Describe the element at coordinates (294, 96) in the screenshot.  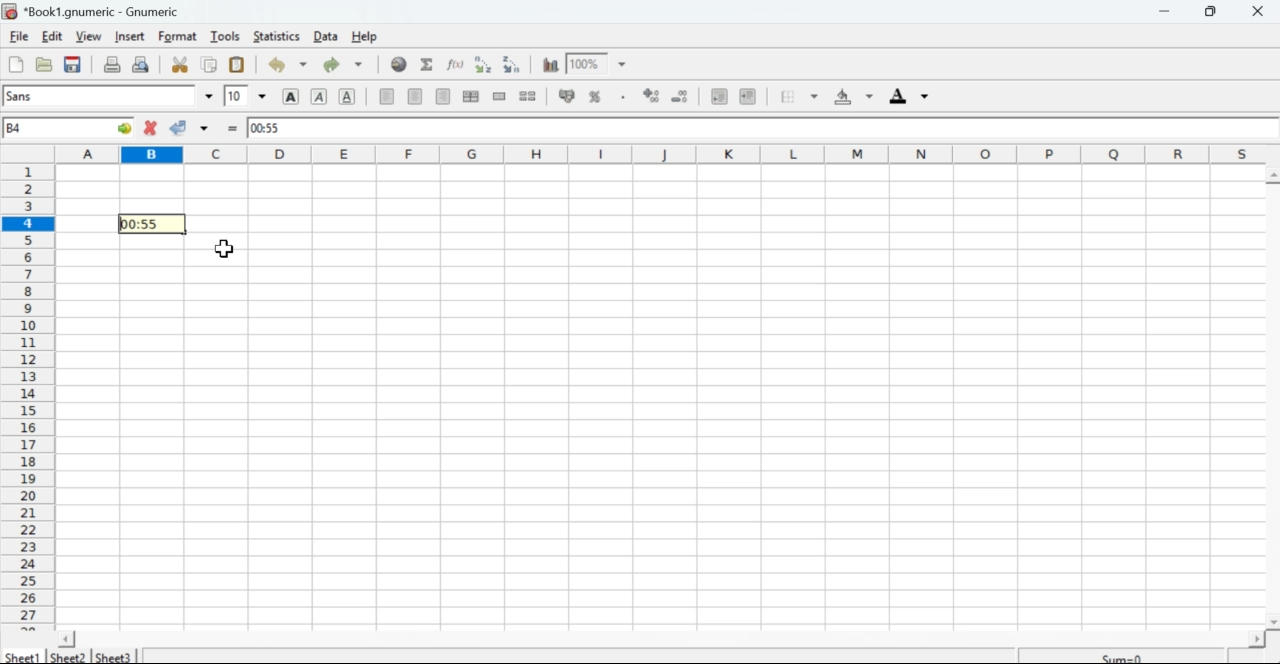
I see `Bold` at that location.